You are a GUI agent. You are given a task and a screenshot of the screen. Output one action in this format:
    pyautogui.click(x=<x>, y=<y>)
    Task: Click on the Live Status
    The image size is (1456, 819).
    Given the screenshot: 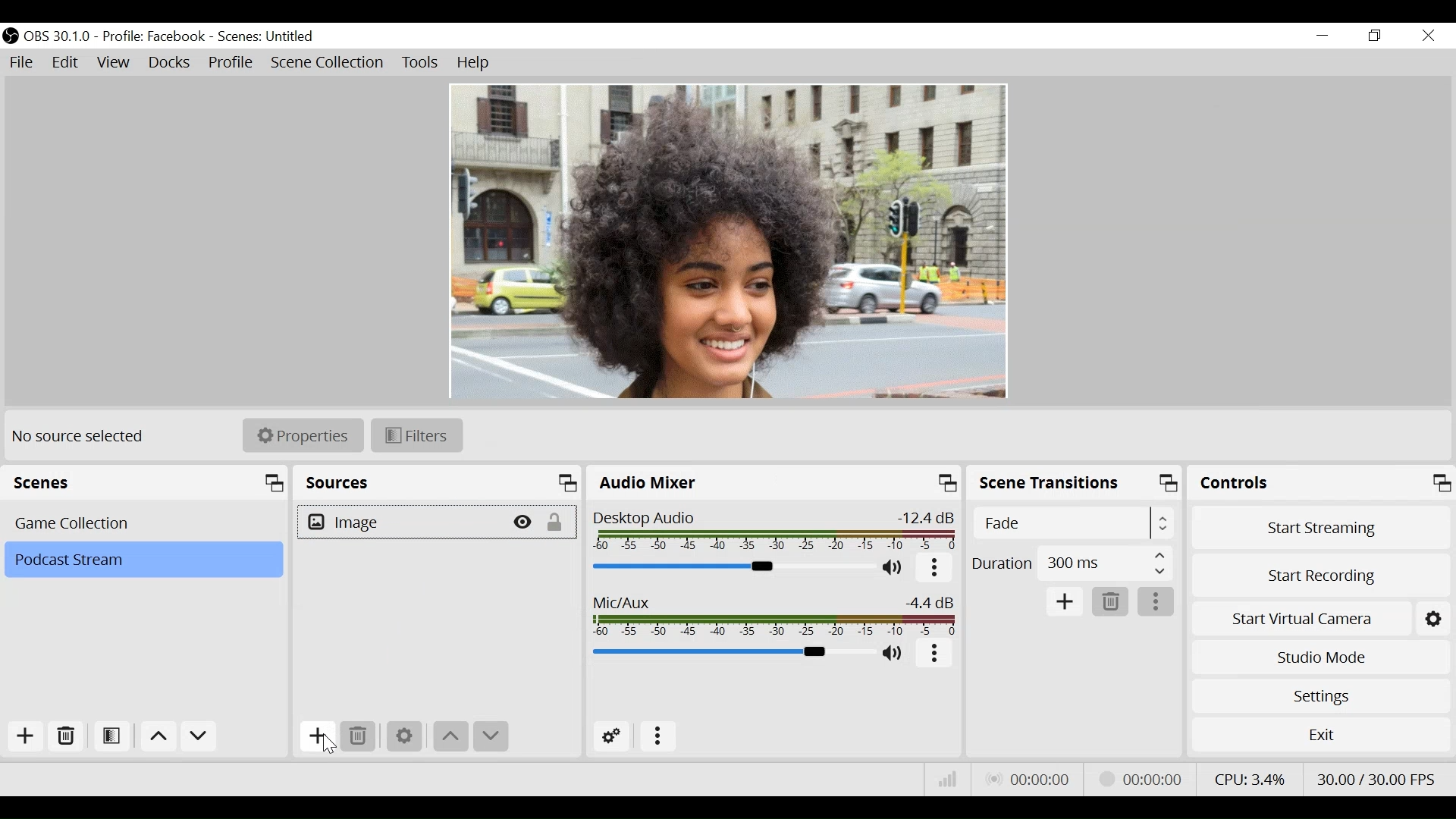 What is the action you would take?
    pyautogui.click(x=1027, y=780)
    